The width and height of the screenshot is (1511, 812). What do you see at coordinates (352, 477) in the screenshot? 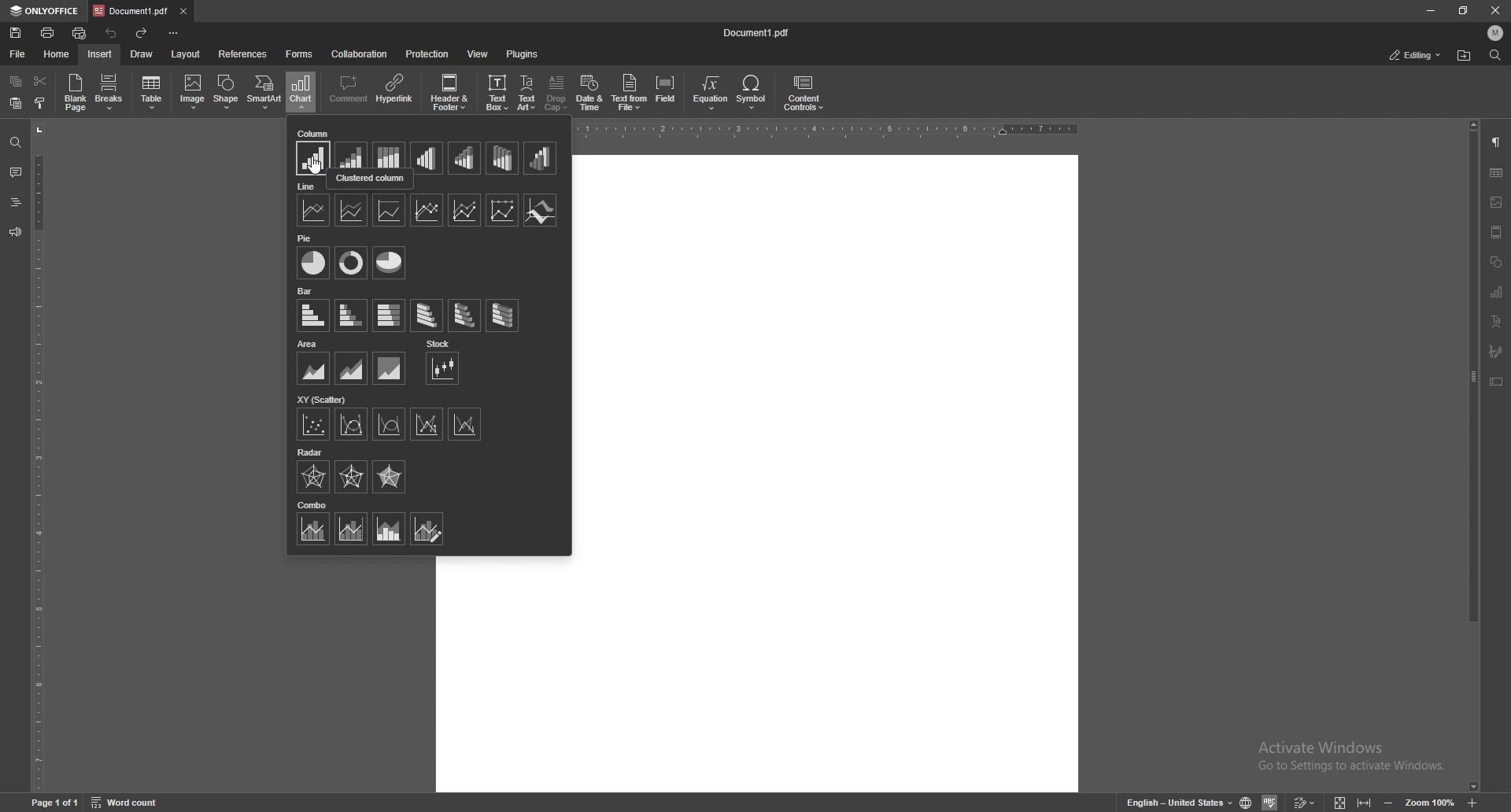
I see `radar with markers` at bounding box center [352, 477].